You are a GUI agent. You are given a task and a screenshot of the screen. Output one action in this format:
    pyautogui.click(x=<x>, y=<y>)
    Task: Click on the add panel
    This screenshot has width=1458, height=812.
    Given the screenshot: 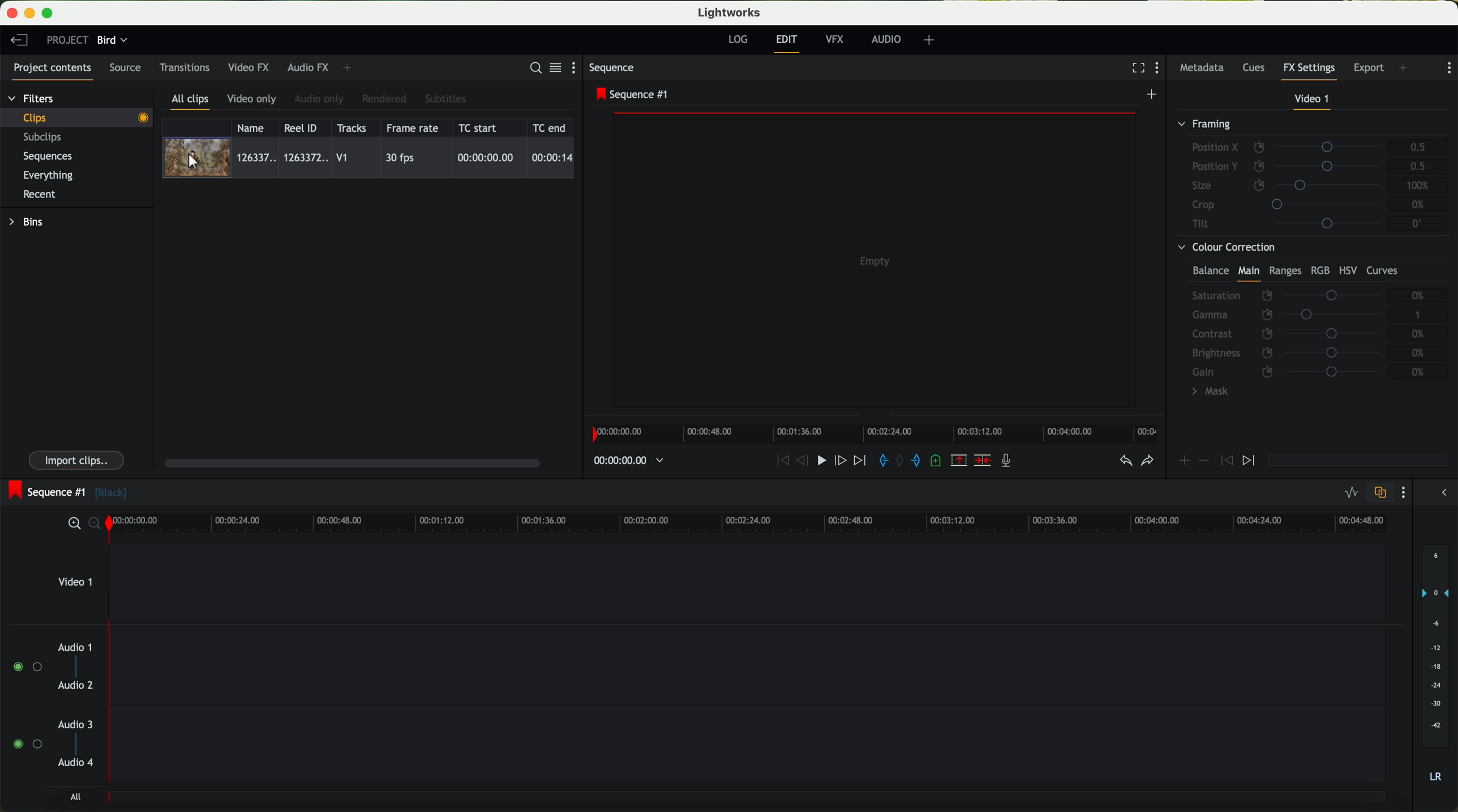 What is the action you would take?
    pyautogui.click(x=1406, y=69)
    